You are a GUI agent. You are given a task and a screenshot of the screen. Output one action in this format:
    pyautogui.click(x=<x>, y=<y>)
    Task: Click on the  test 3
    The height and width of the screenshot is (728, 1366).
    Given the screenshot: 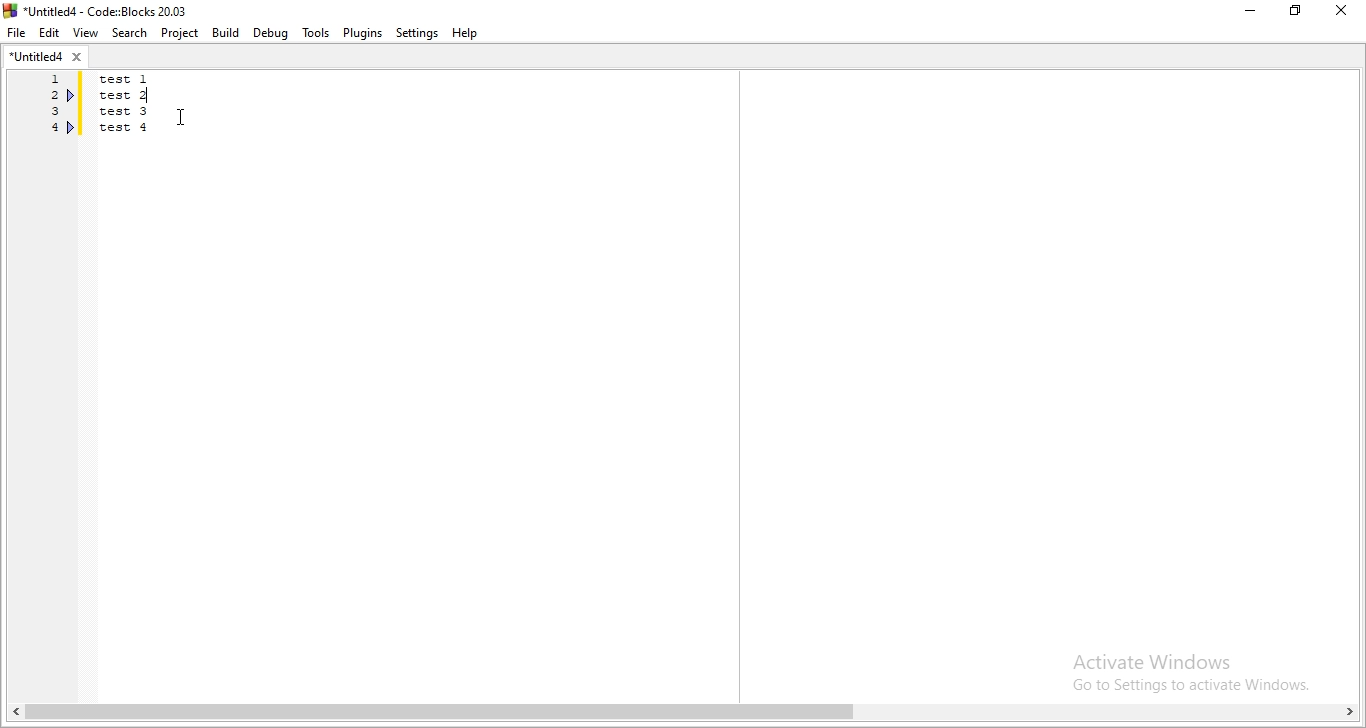 What is the action you would take?
    pyautogui.click(x=127, y=113)
    